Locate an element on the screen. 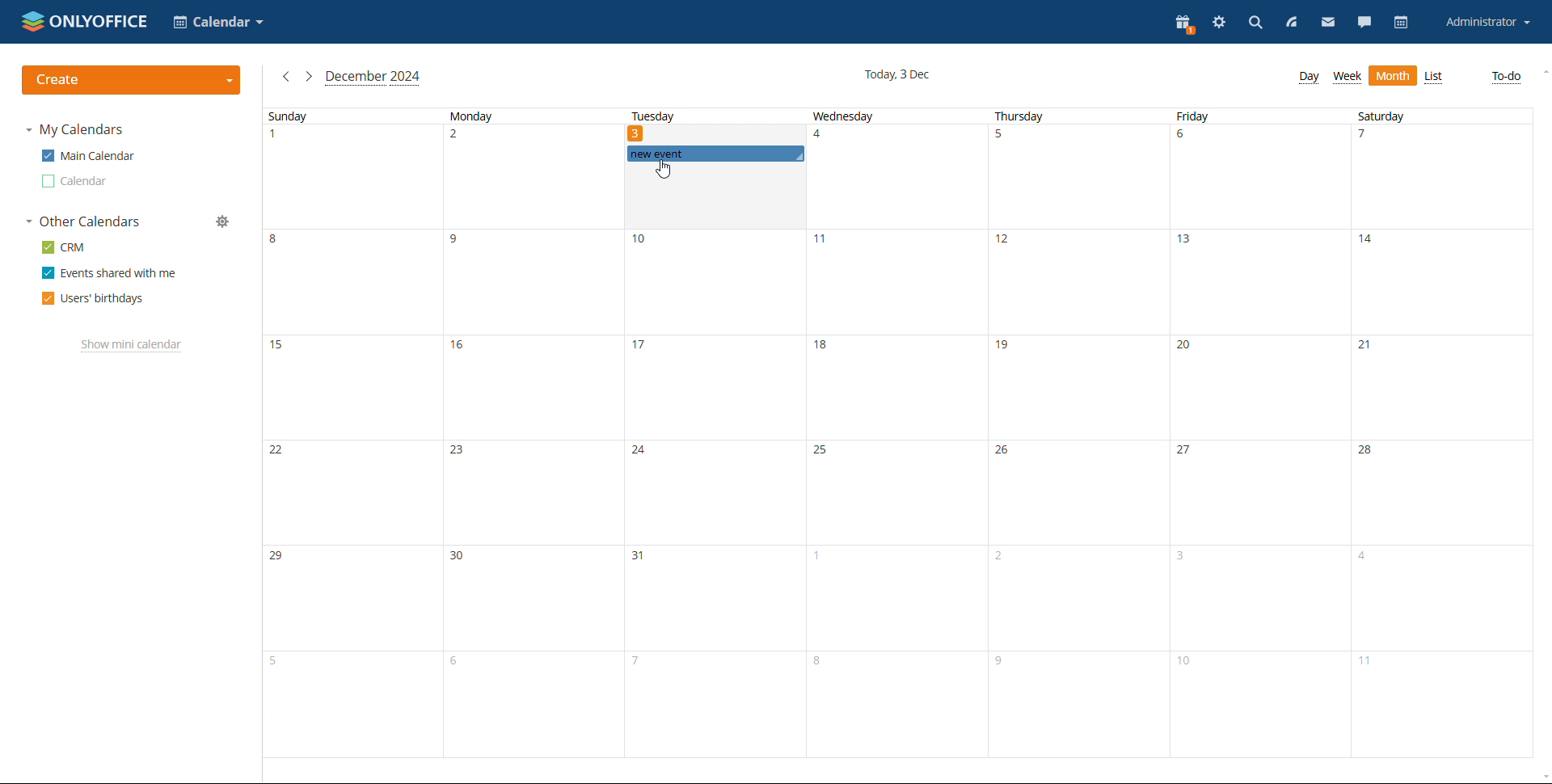 This screenshot has width=1552, height=784. users' birthdays is located at coordinates (94, 298).